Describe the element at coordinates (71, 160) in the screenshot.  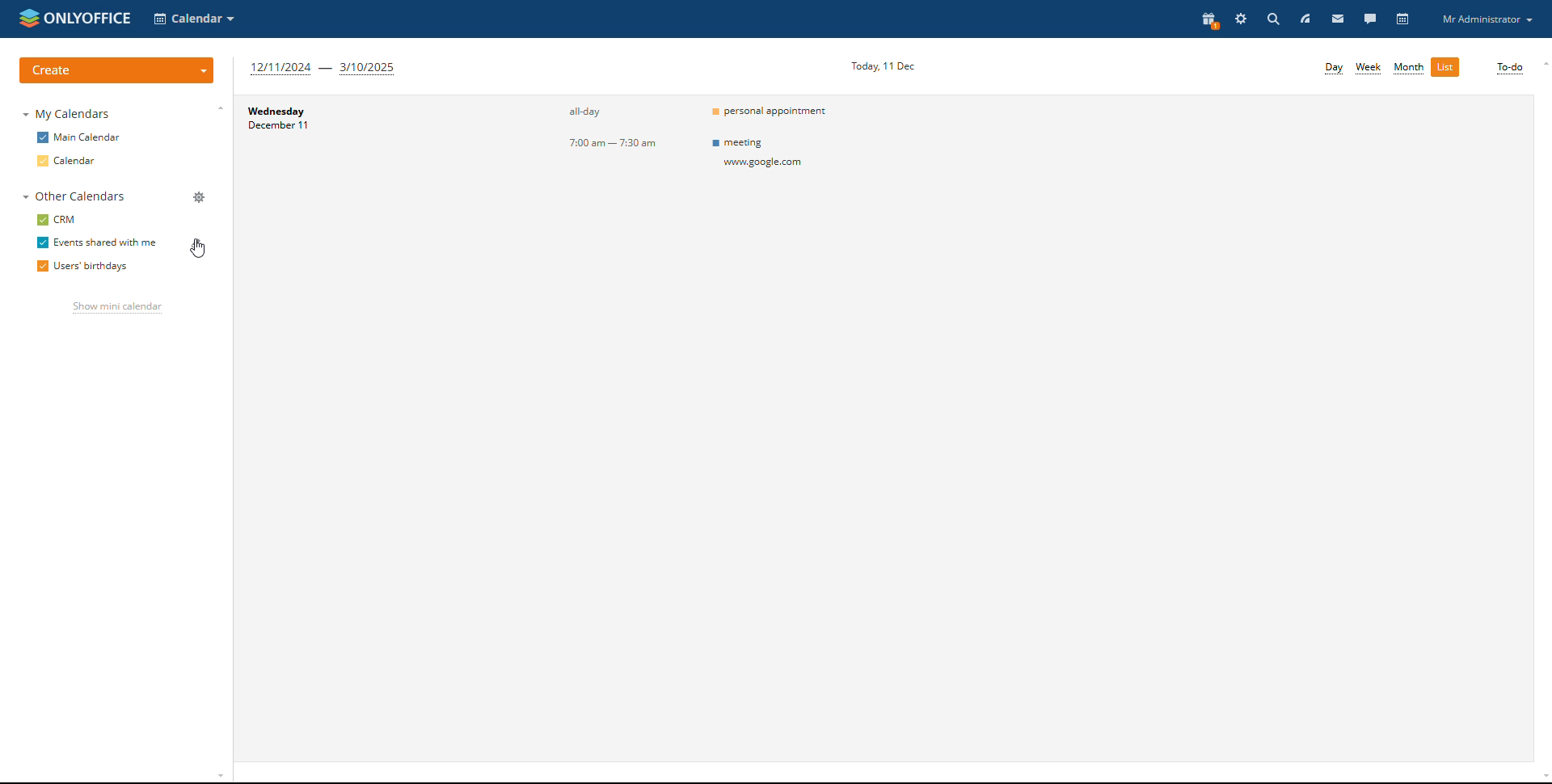
I see `calendar` at that location.